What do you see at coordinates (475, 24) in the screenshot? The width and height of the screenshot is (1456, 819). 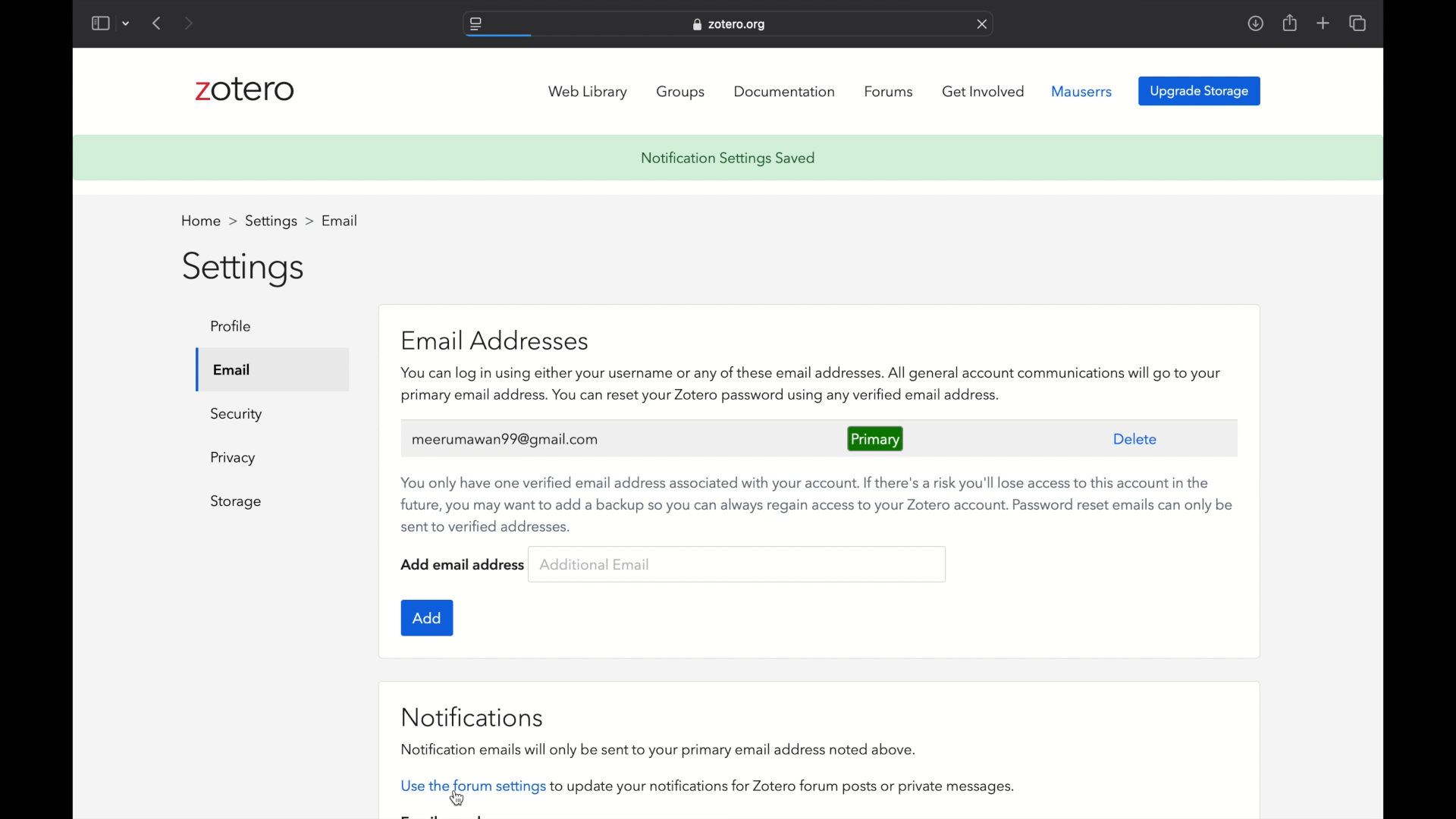 I see `website settings` at bounding box center [475, 24].